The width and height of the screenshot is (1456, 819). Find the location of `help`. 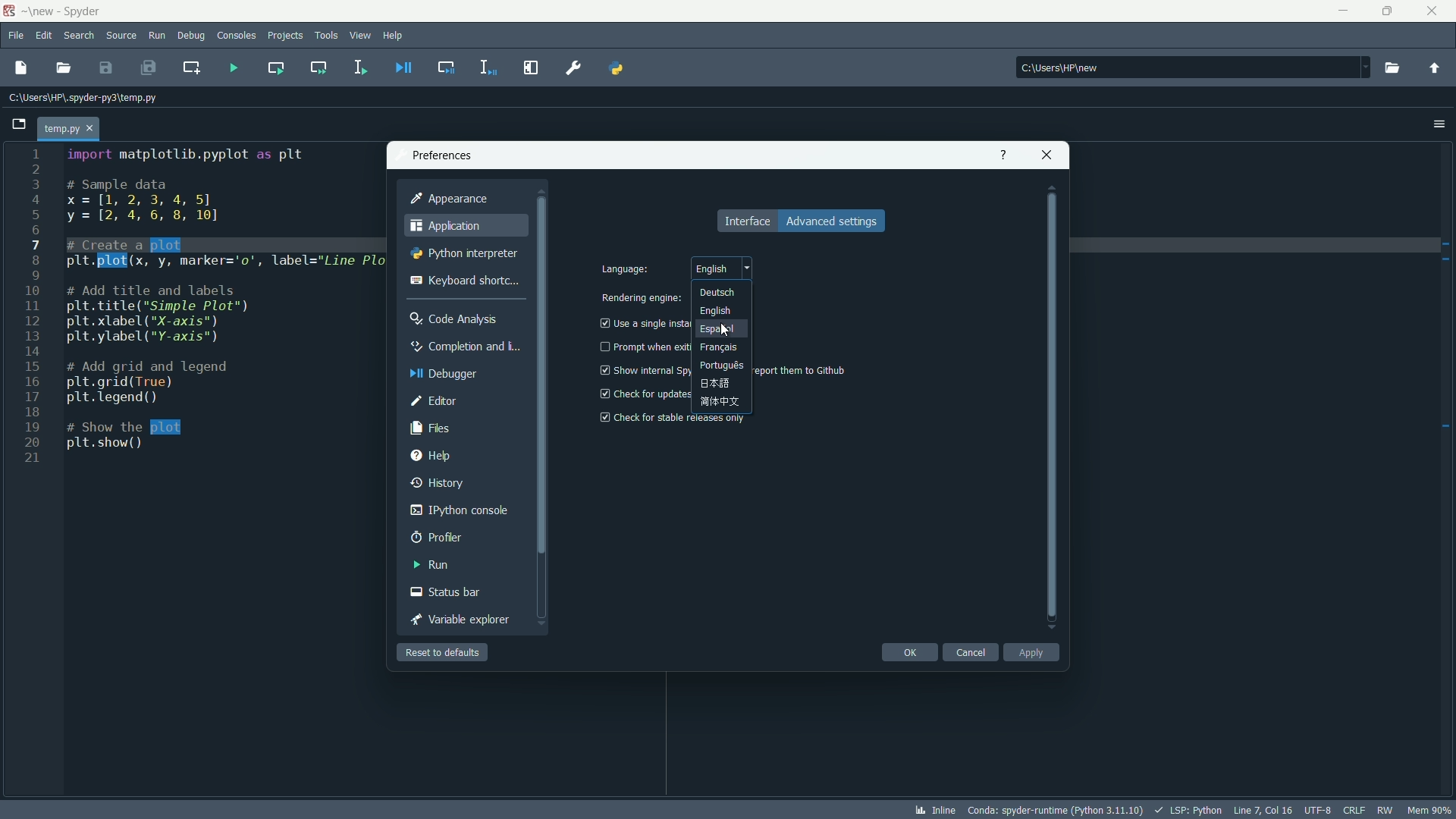

help is located at coordinates (431, 456).